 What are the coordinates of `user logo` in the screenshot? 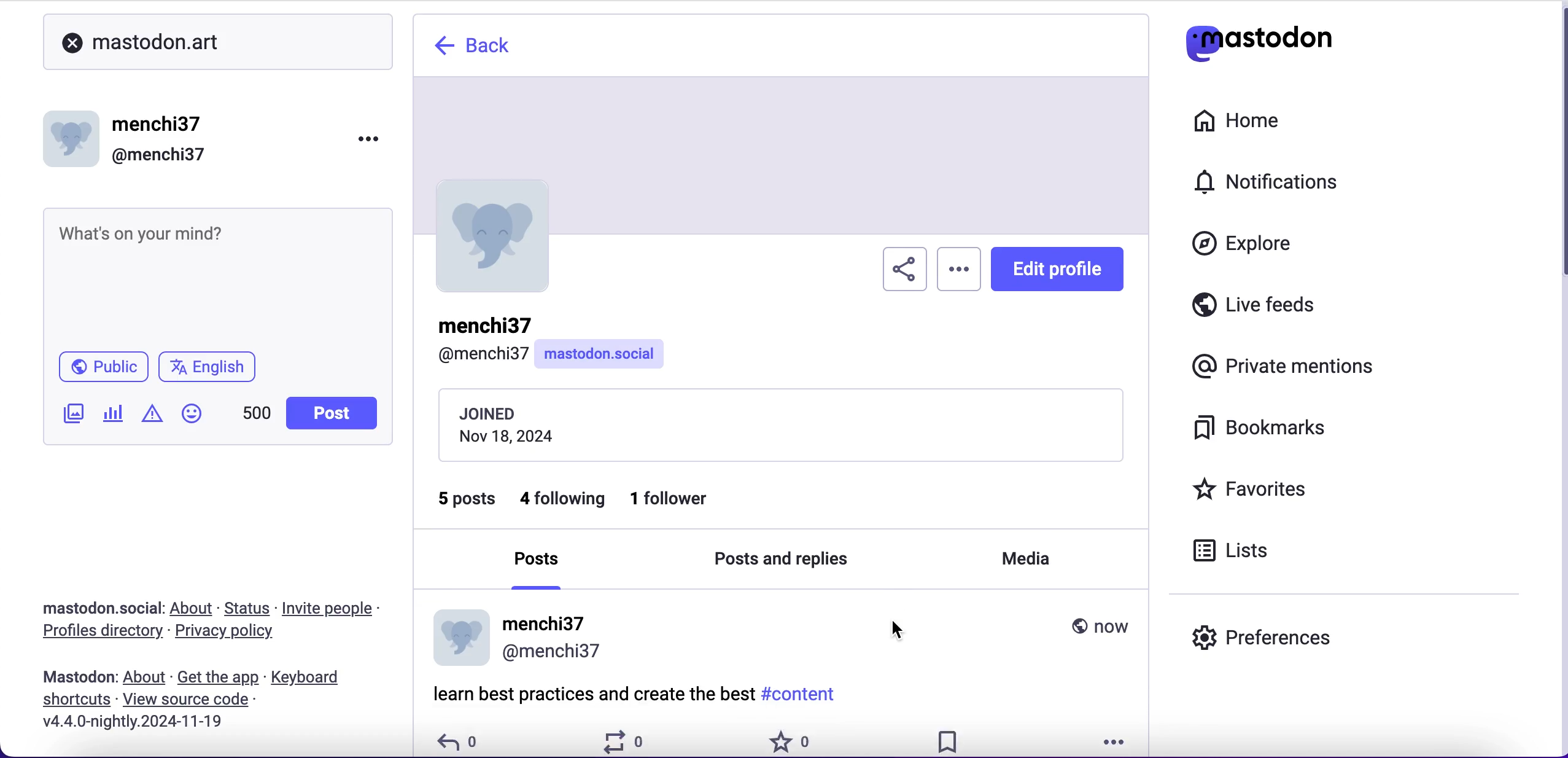 It's located at (501, 242).